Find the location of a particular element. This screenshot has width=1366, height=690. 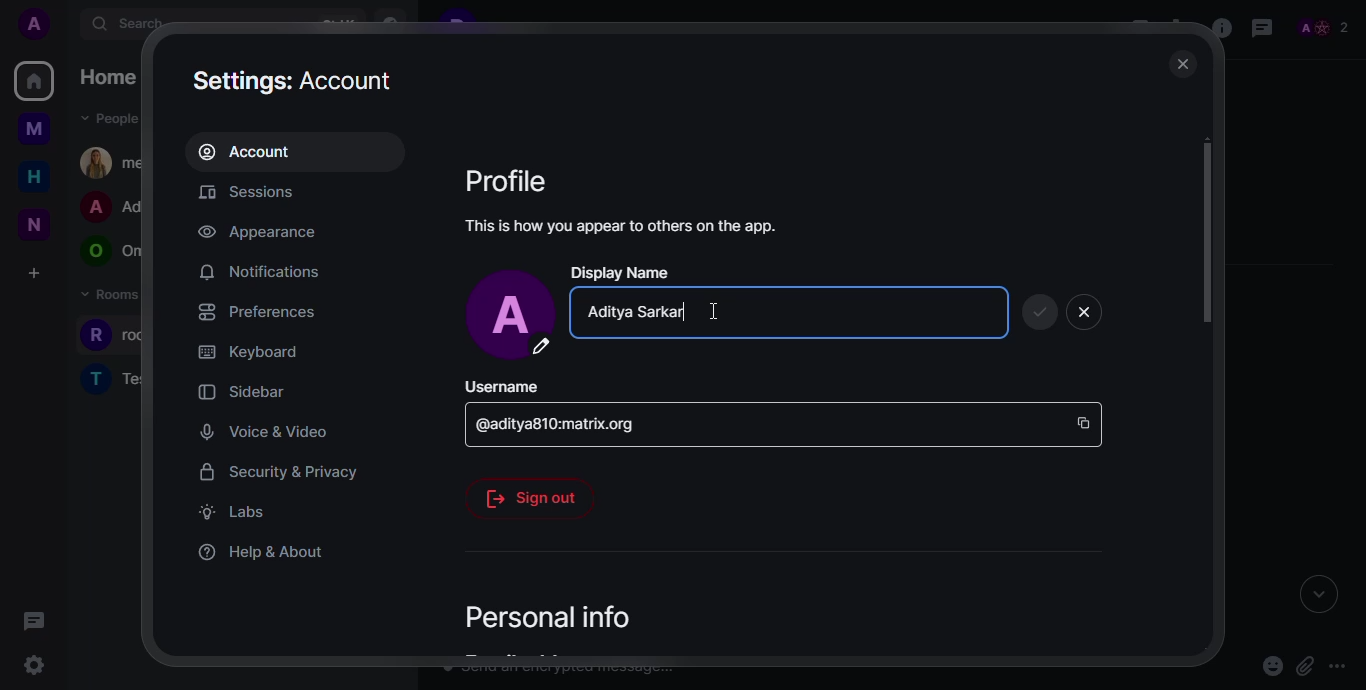

display name is located at coordinates (622, 272).